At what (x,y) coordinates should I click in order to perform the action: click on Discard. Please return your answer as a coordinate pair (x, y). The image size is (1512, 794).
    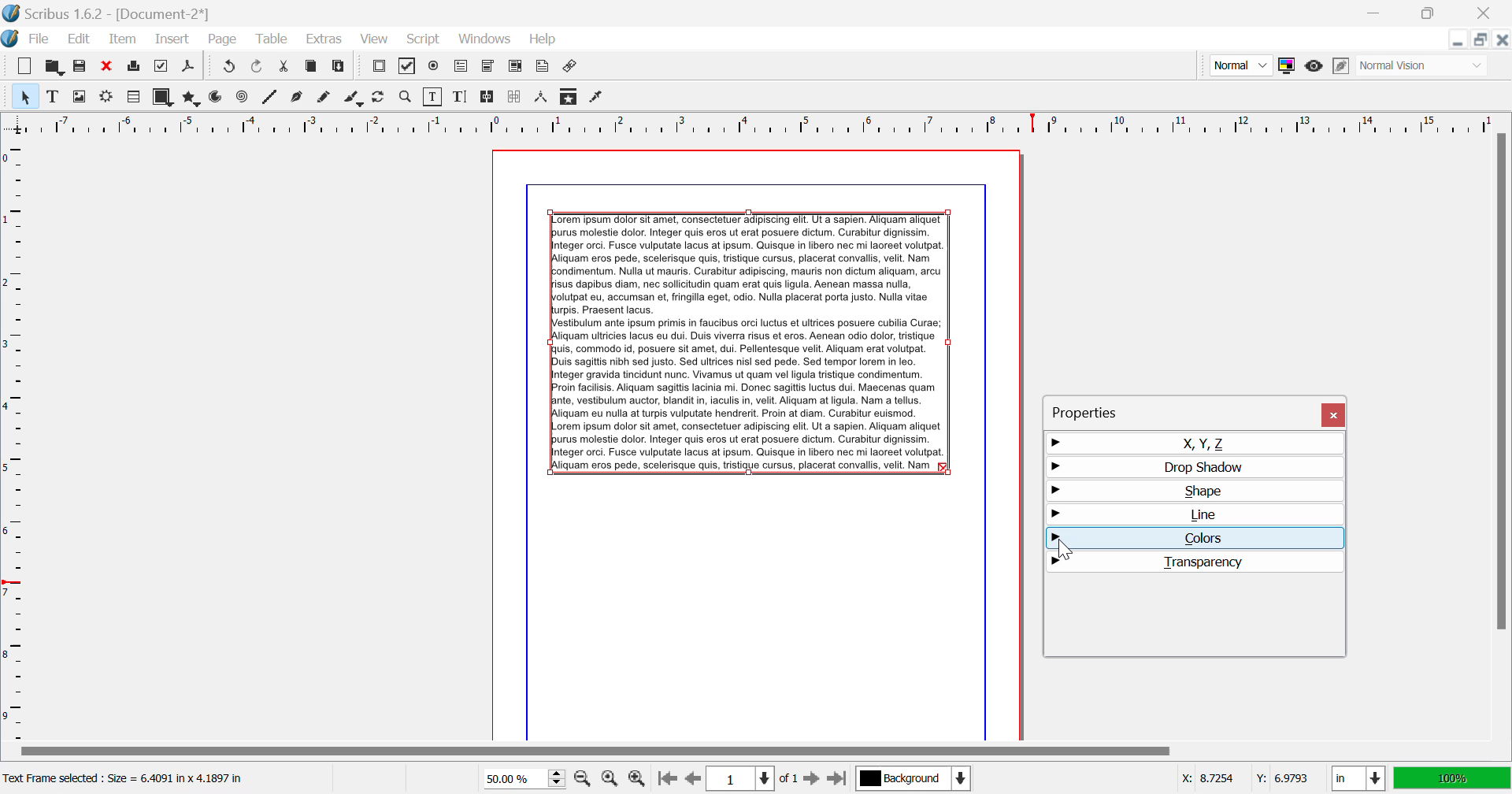
    Looking at the image, I should click on (107, 66).